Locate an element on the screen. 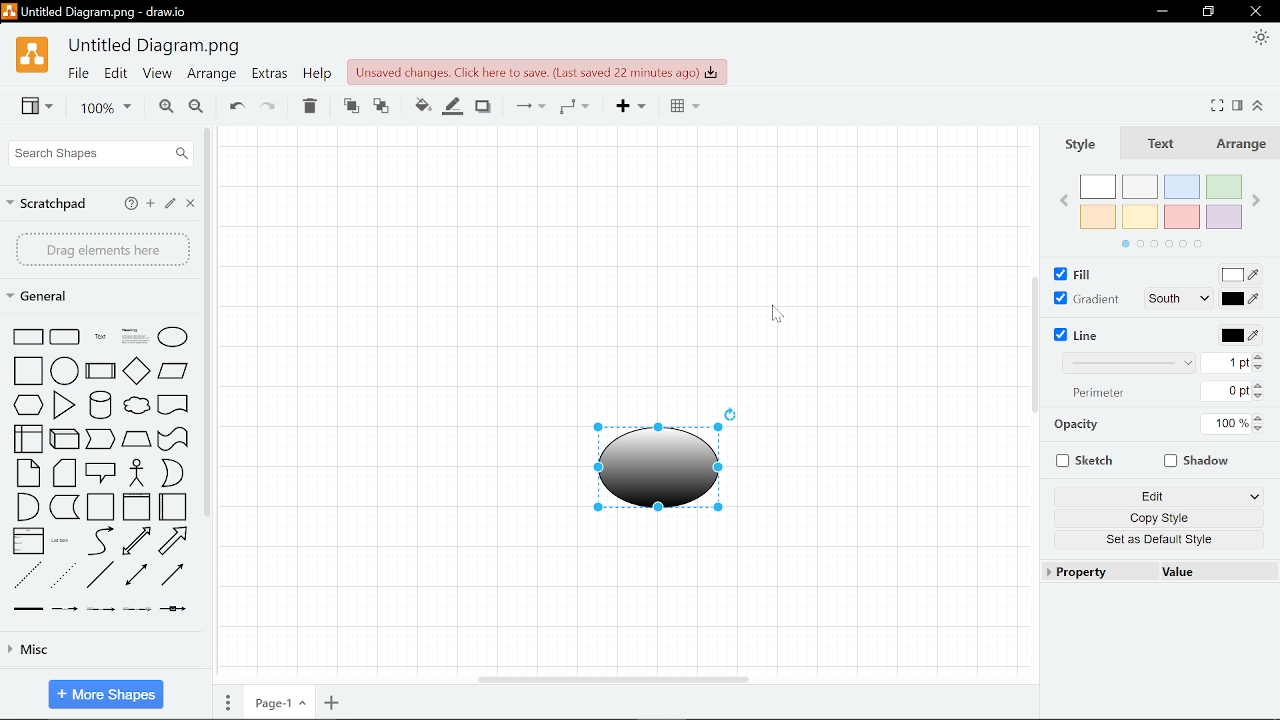  Fullscreen is located at coordinates (1219, 105).